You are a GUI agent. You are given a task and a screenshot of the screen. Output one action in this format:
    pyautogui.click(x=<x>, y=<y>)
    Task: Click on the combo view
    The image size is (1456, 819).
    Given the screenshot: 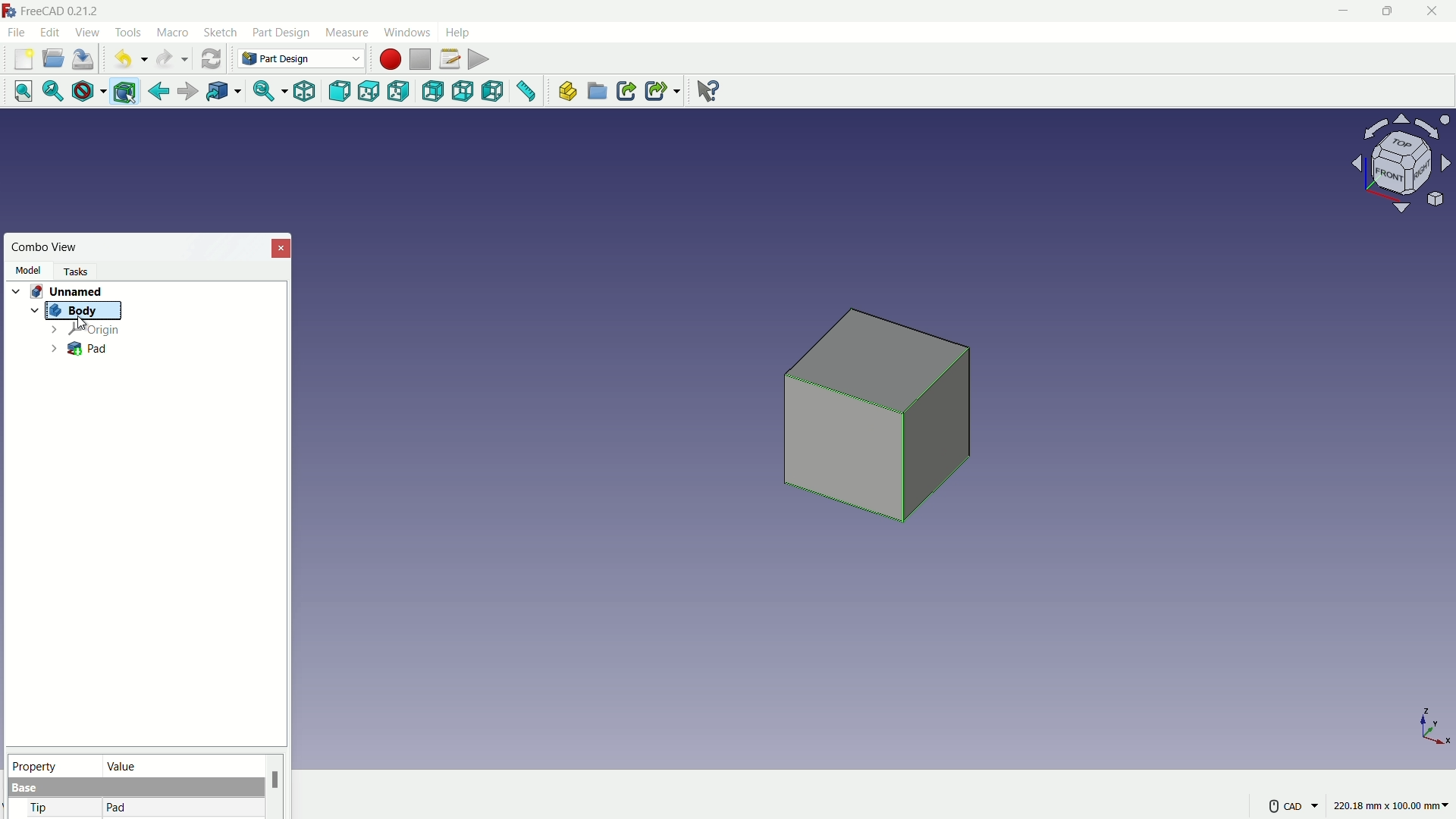 What is the action you would take?
    pyautogui.click(x=45, y=247)
    